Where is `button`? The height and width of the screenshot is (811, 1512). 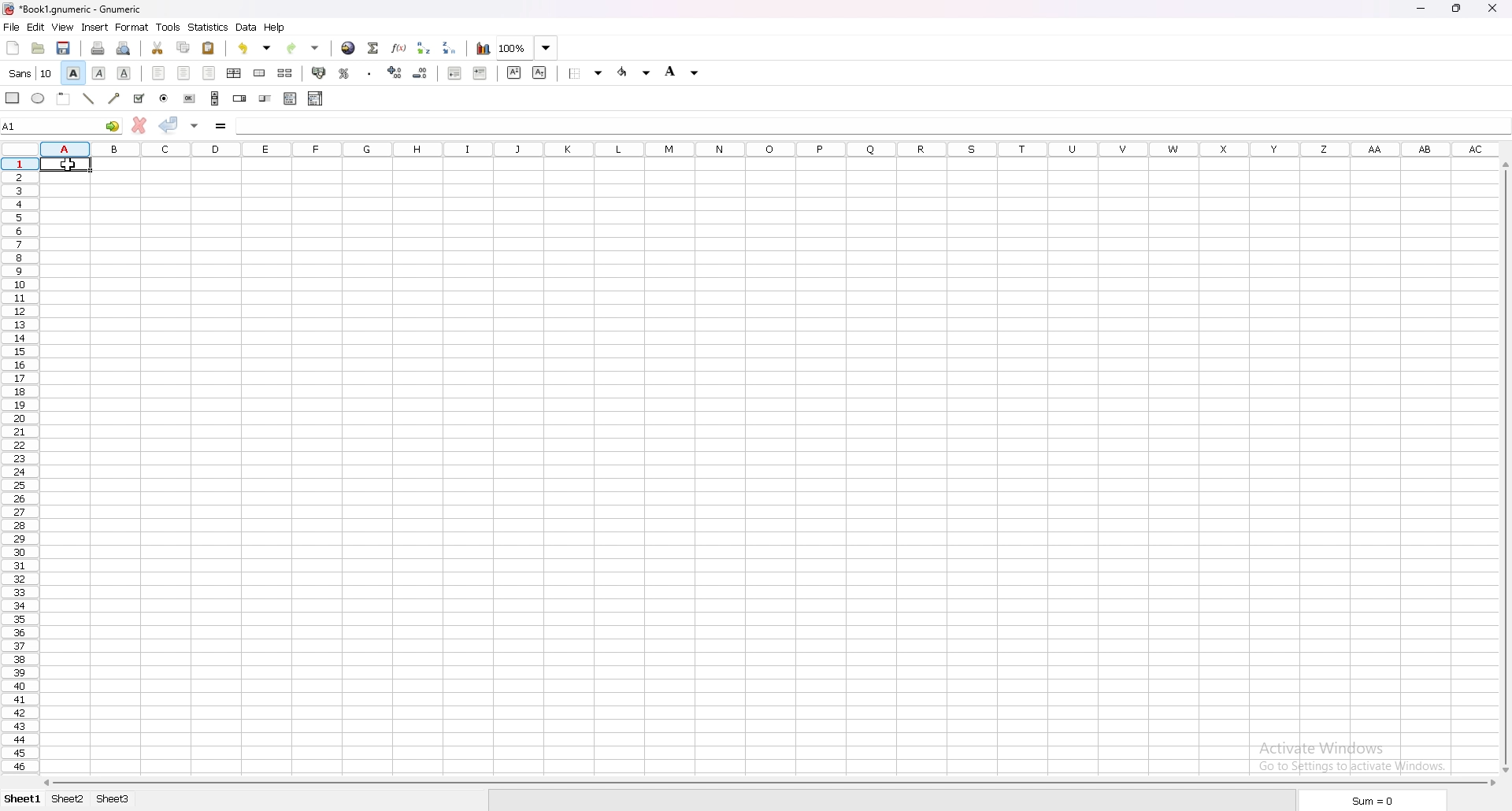 button is located at coordinates (189, 99).